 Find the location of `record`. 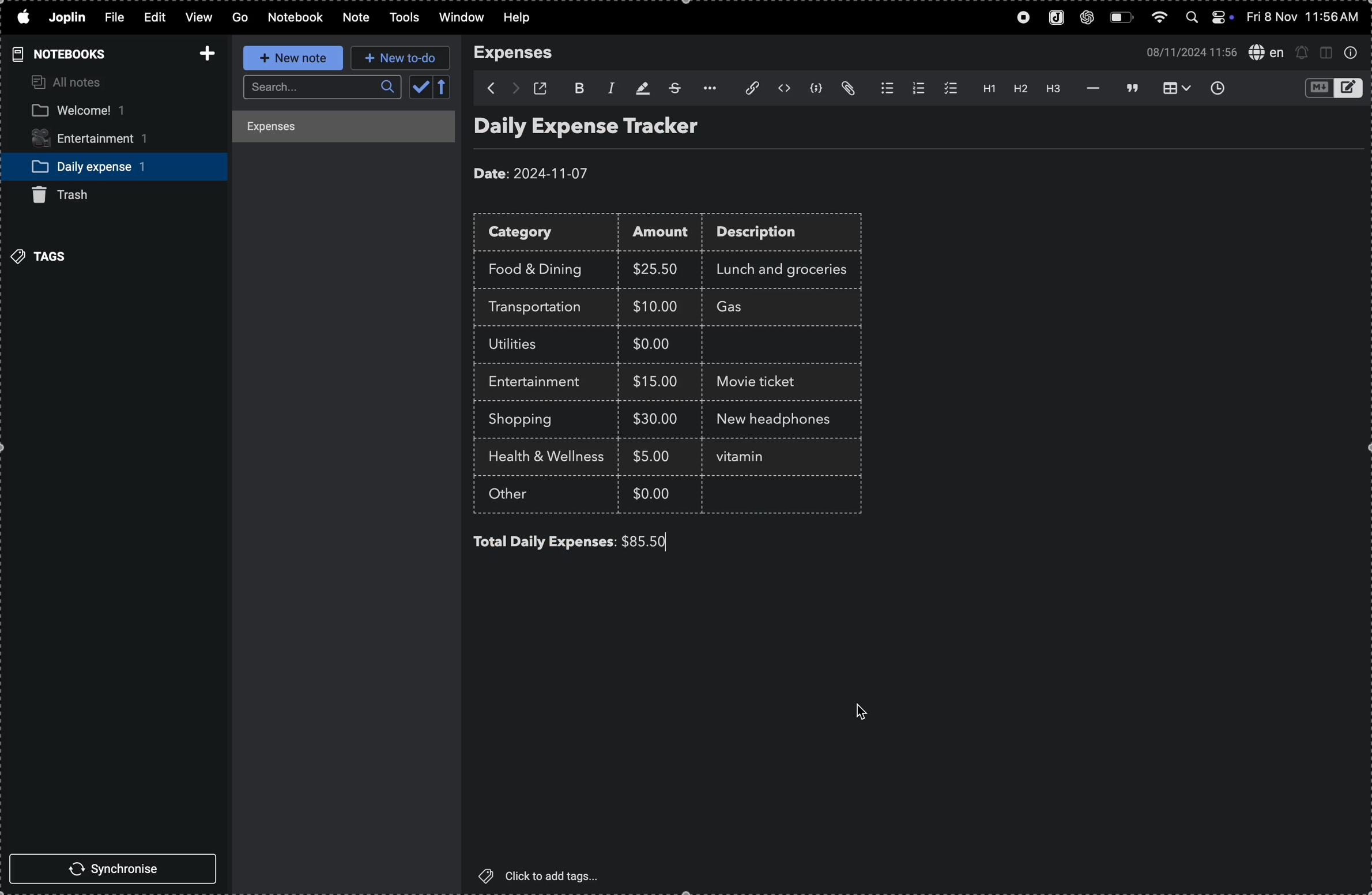

record is located at coordinates (1019, 18).